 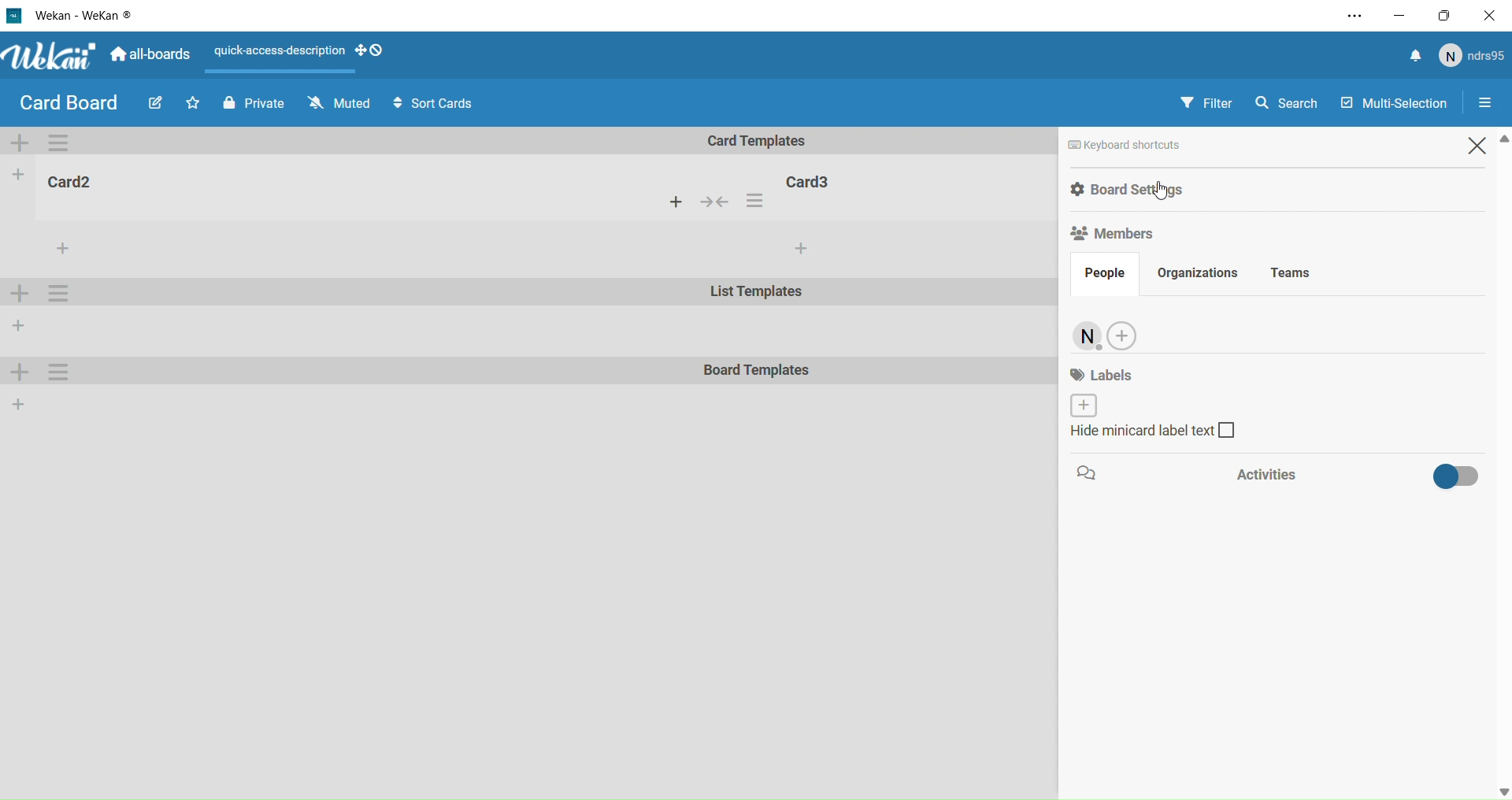 What do you see at coordinates (62, 248) in the screenshot?
I see `` at bounding box center [62, 248].